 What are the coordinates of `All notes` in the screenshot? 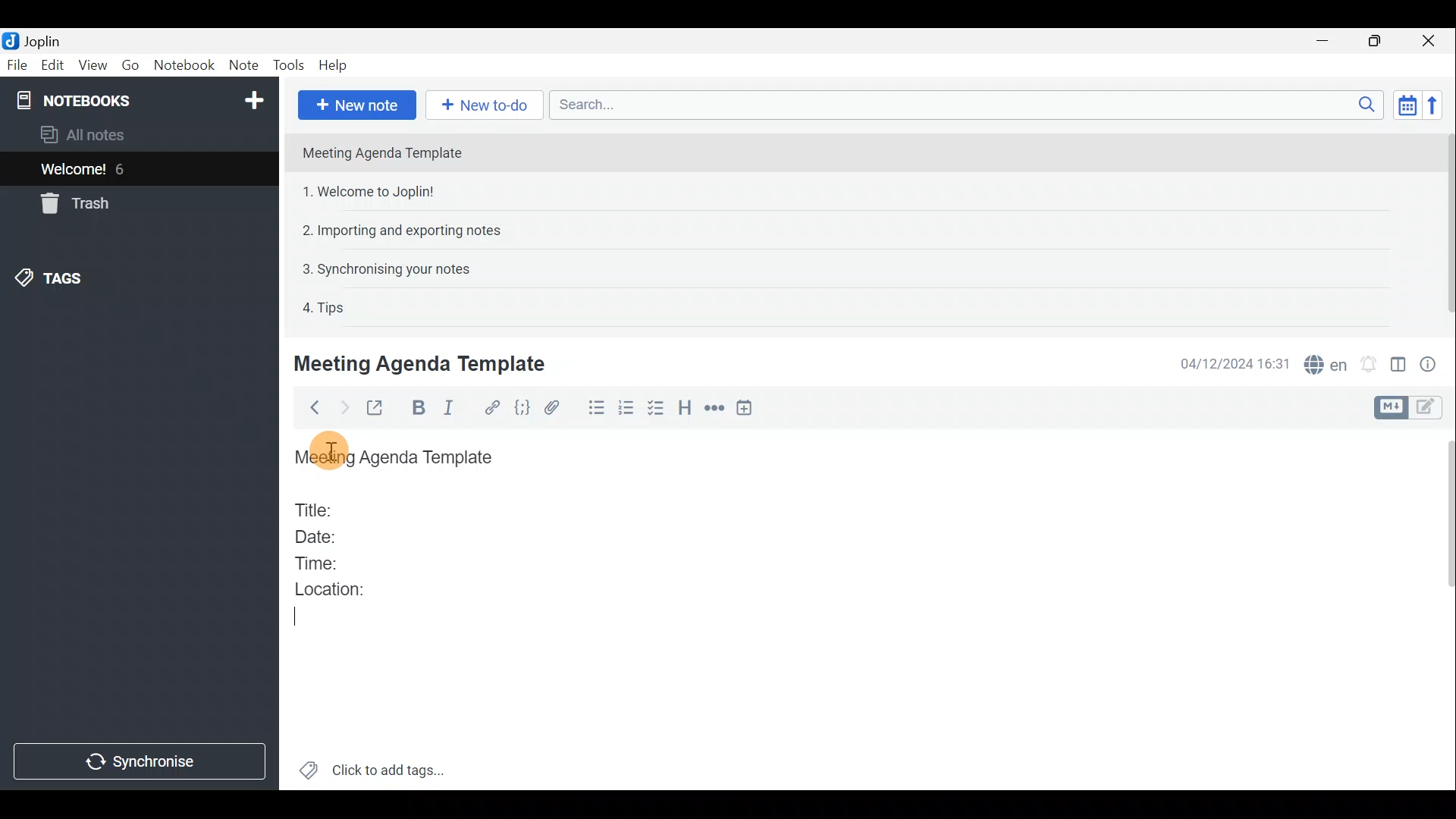 It's located at (108, 134).